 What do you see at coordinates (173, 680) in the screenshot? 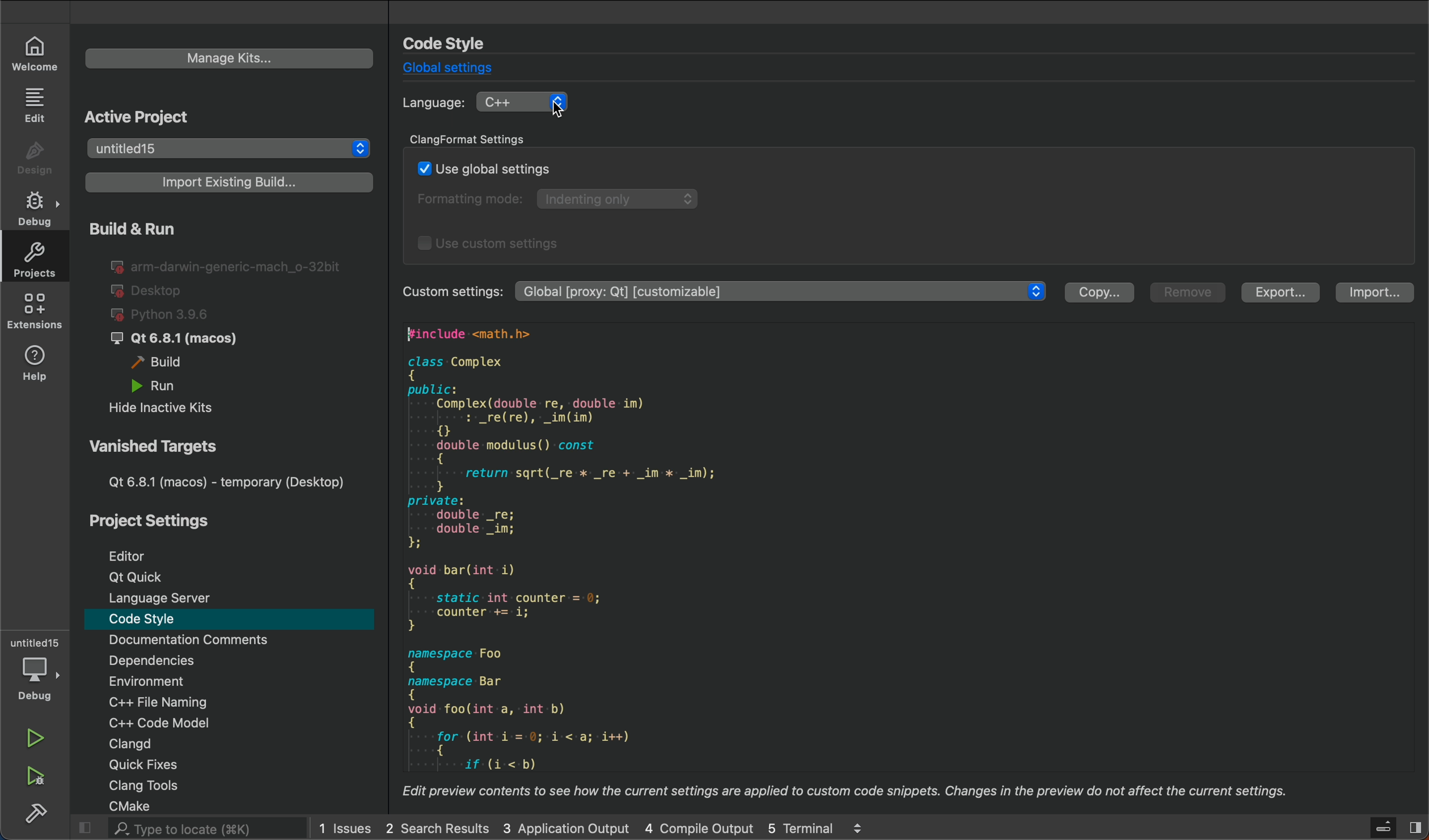
I see `environment` at bounding box center [173, 680].